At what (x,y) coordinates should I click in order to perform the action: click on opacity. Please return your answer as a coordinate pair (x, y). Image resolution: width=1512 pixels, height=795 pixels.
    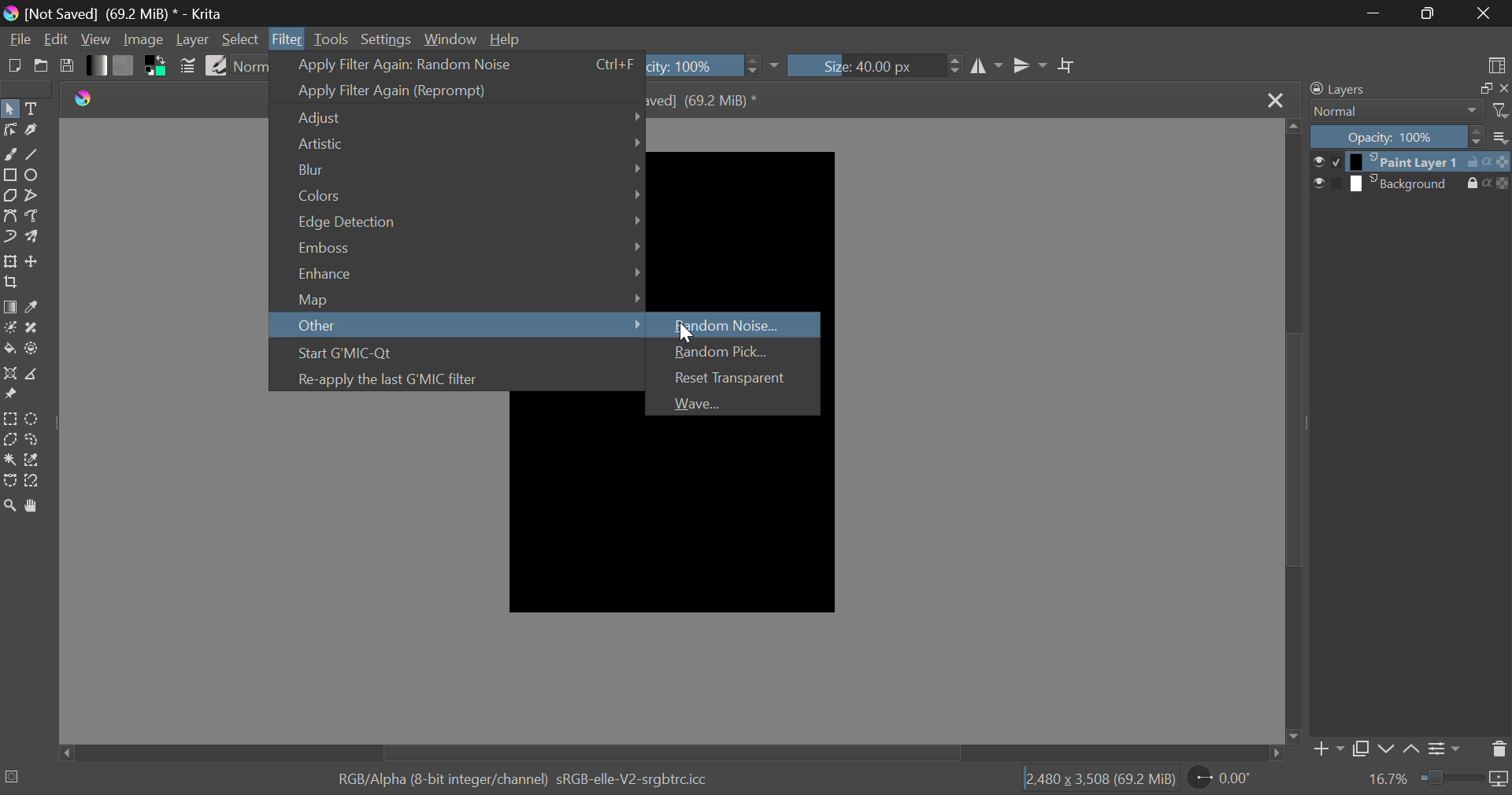
    Looking at the image, I should click on (1503, 162).